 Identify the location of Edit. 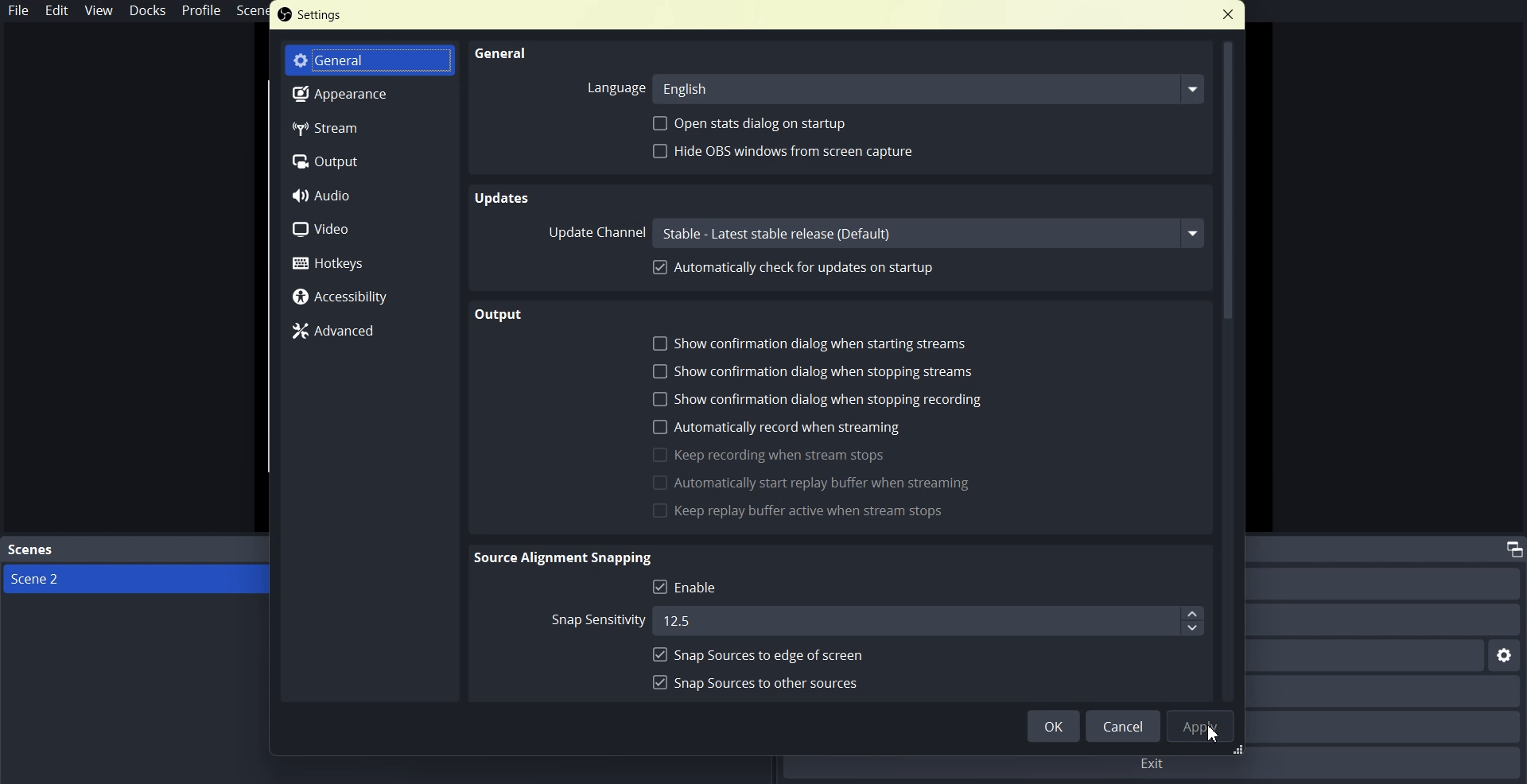
(56, 10).